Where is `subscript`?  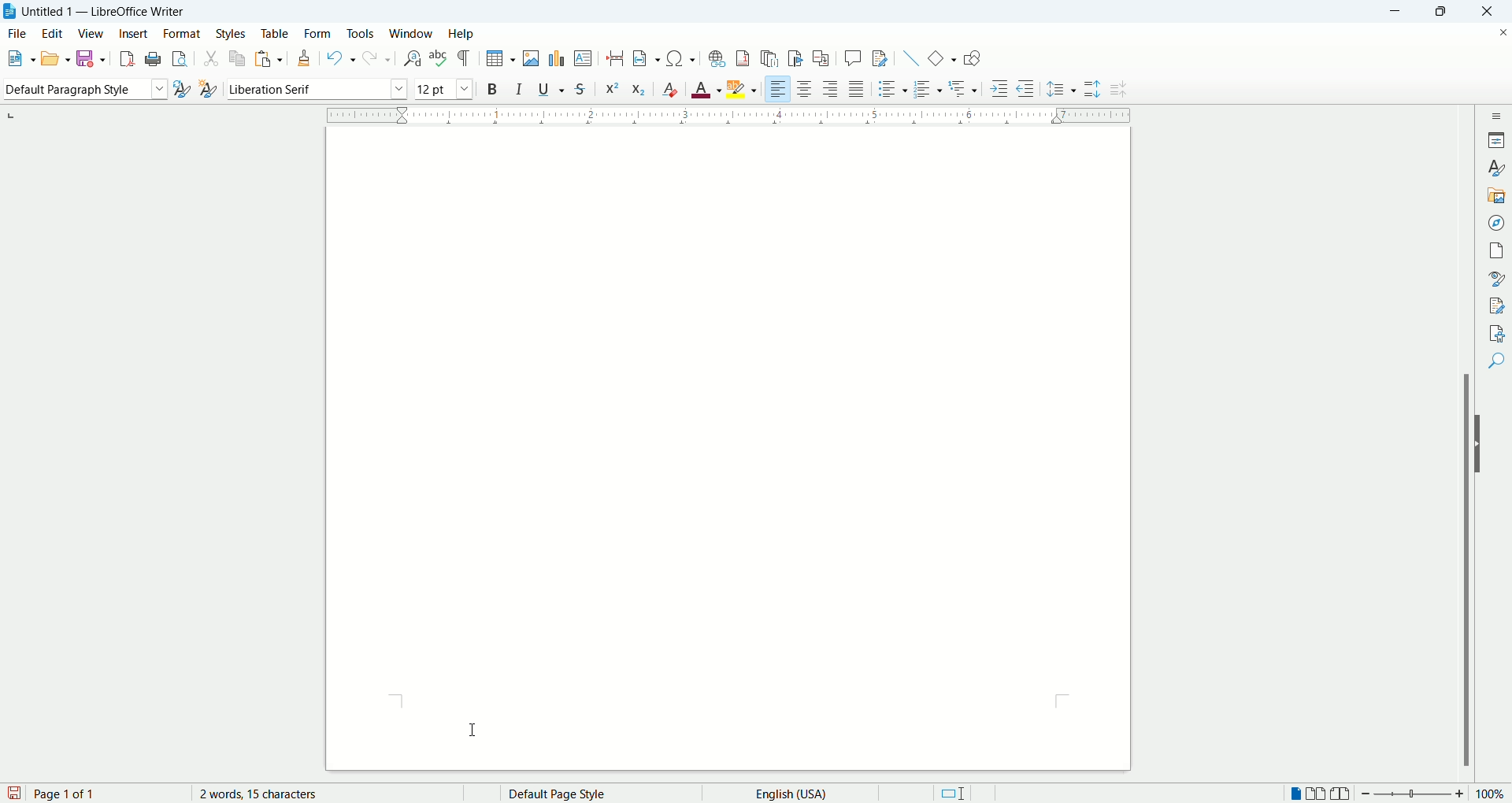
subscript is located at coordinates (639, 91).